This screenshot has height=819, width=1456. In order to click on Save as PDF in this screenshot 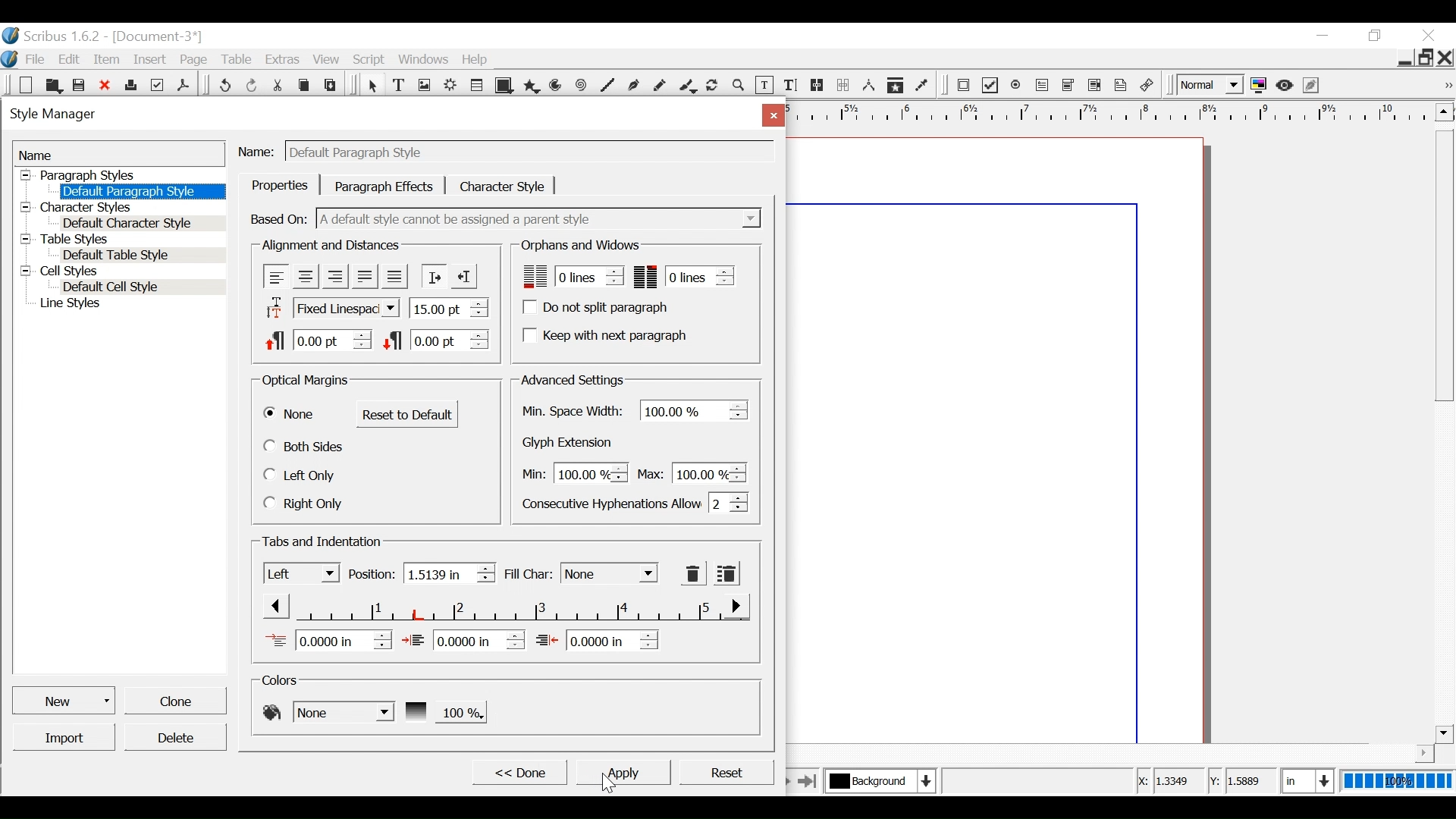, I will do `click(184, 83)`.